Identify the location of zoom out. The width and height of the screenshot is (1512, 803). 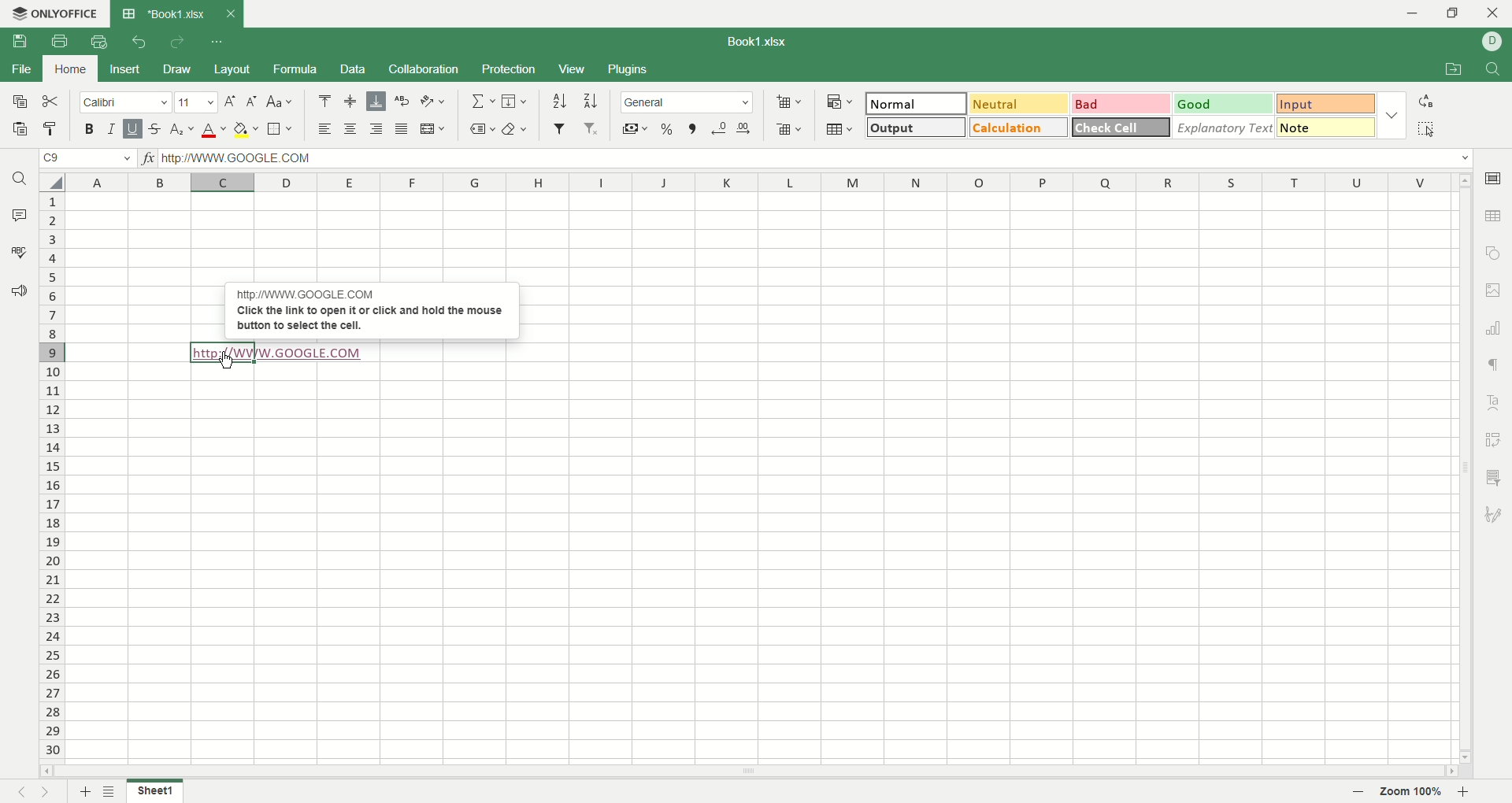
(1466, 793).